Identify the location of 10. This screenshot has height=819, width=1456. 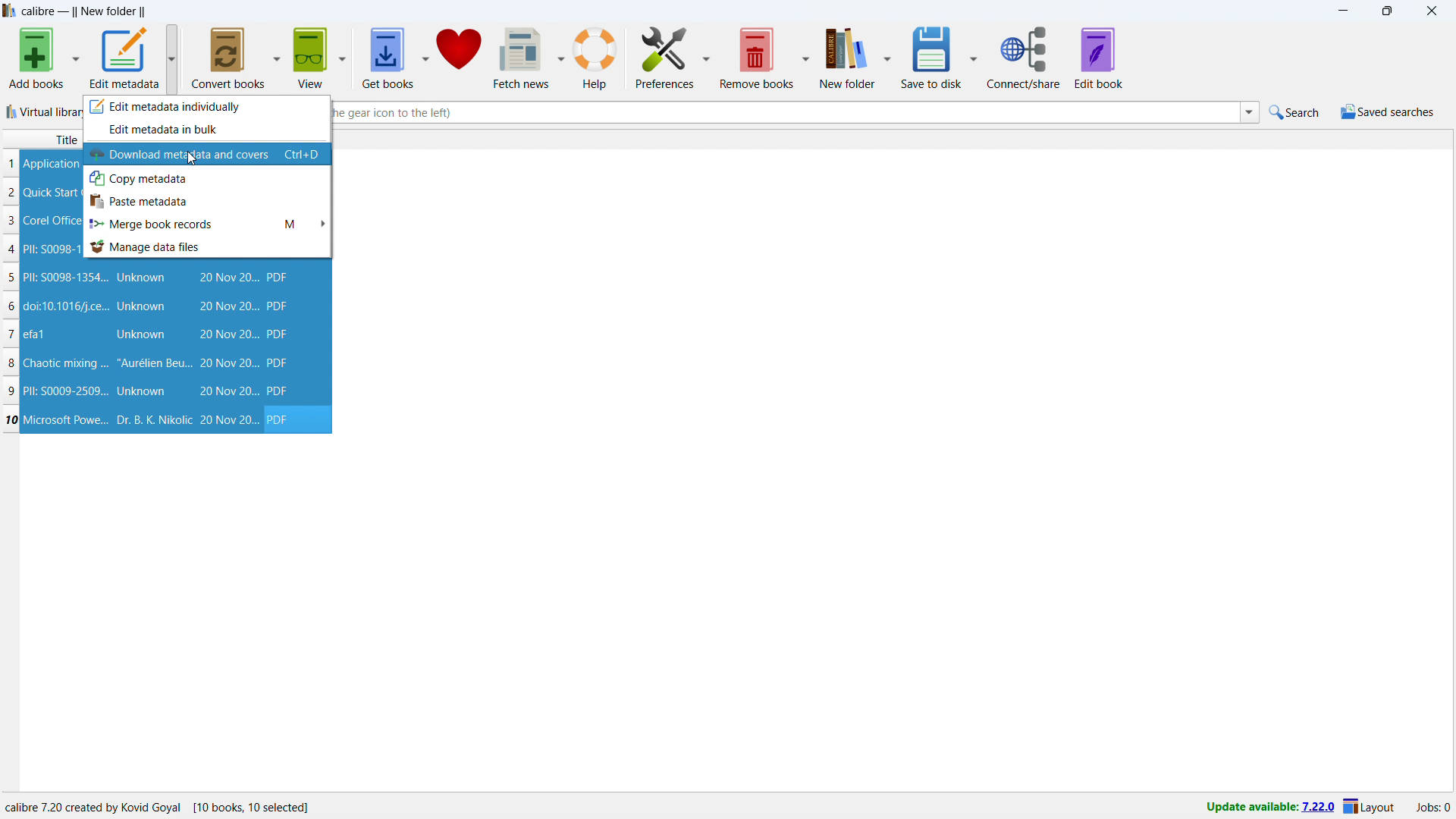
(11, 419).